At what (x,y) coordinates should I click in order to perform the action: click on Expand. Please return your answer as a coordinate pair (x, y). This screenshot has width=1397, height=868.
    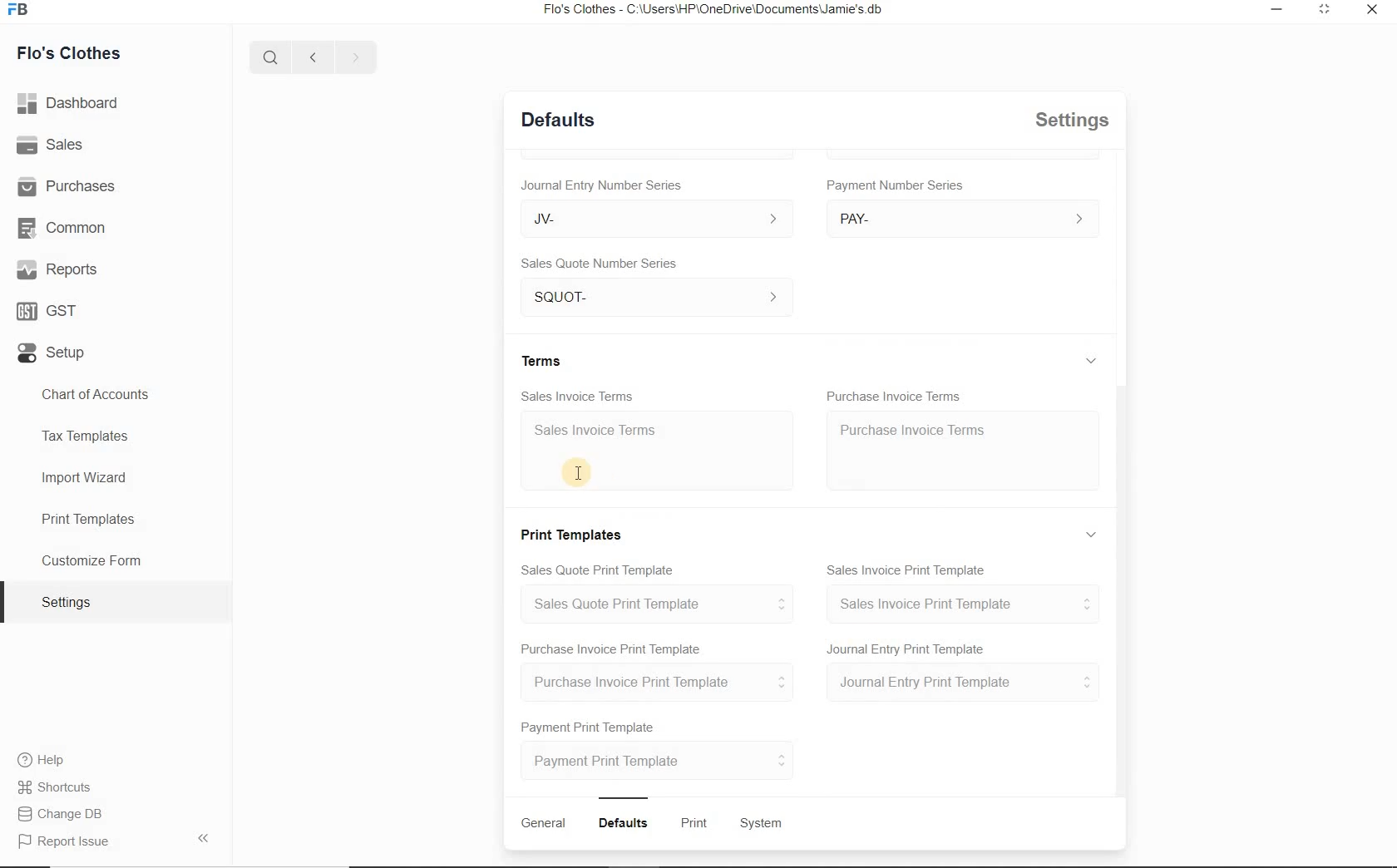
    Looking at the image, I should click on (1090, 532).